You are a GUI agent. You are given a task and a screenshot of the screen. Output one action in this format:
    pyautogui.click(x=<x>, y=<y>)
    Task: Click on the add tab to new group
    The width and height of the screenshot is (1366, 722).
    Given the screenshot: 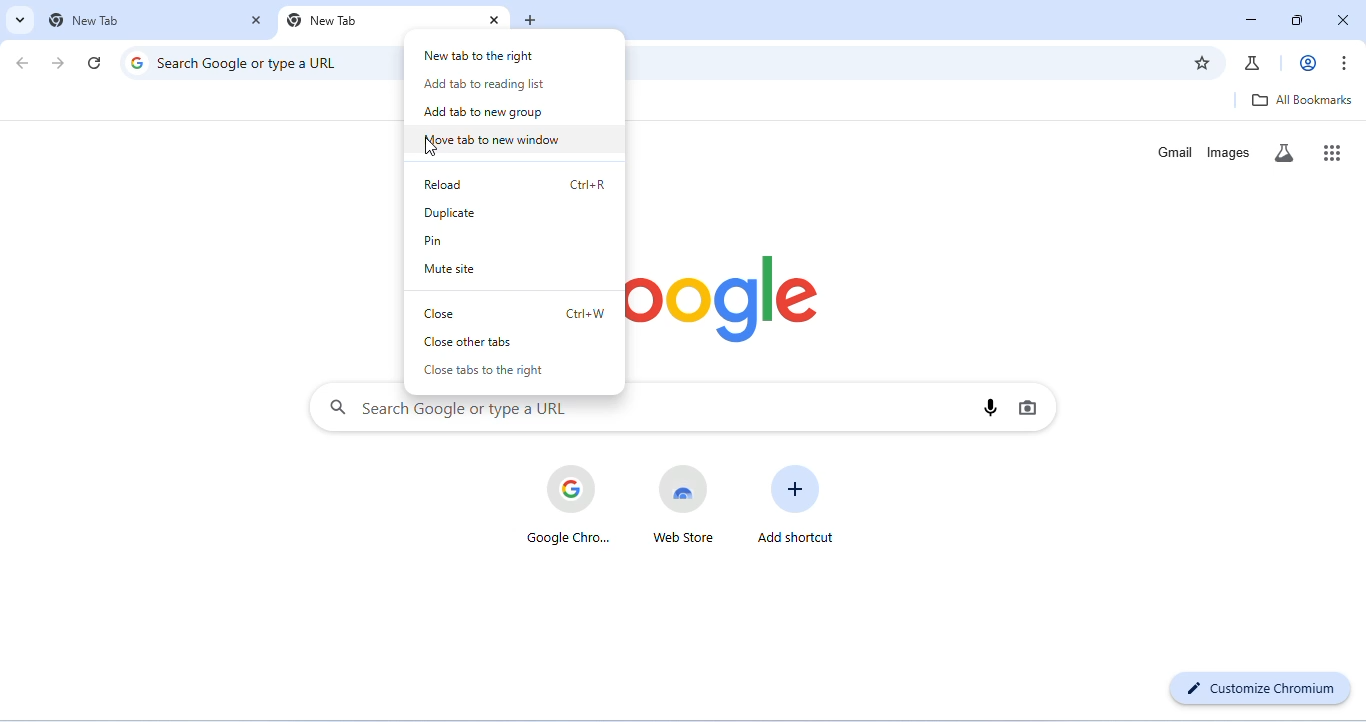 What is the action you would take?
    pyautogui.click(x=483, y=111)
    